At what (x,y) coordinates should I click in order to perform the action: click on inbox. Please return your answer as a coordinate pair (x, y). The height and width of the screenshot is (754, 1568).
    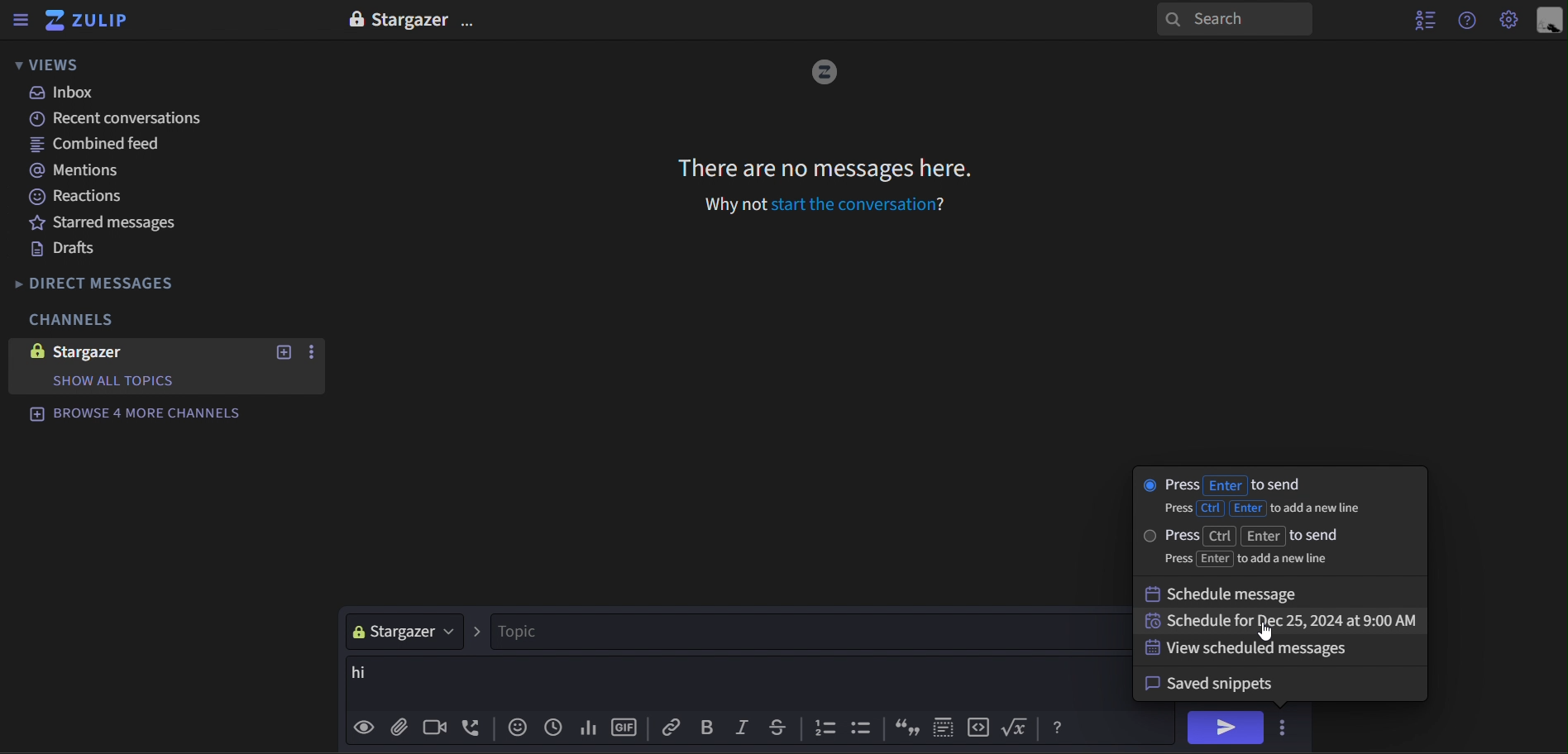
    Looking at the image, I should click on (122, 92).